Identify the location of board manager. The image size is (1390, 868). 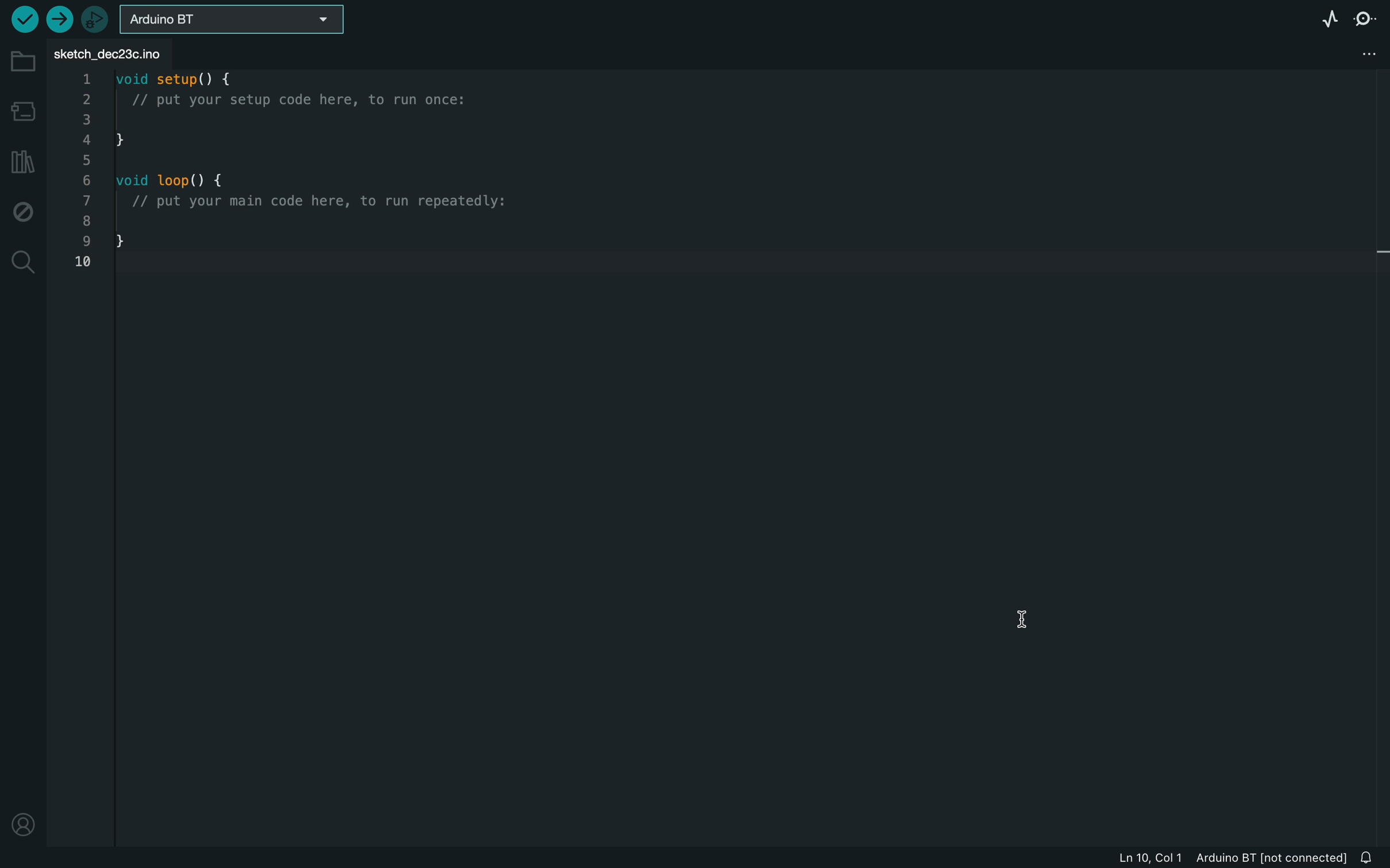
(22, 109).